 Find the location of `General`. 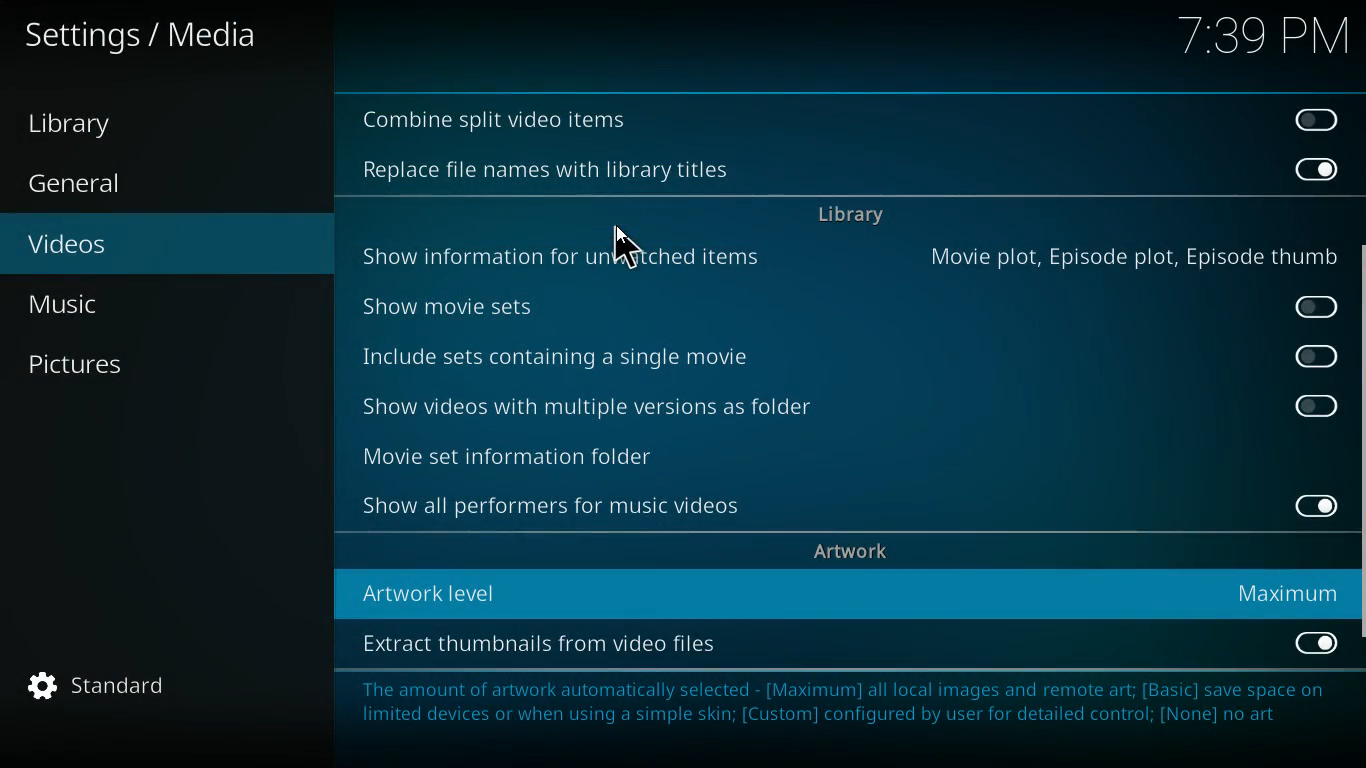

General is located at coordinates (98, 185).